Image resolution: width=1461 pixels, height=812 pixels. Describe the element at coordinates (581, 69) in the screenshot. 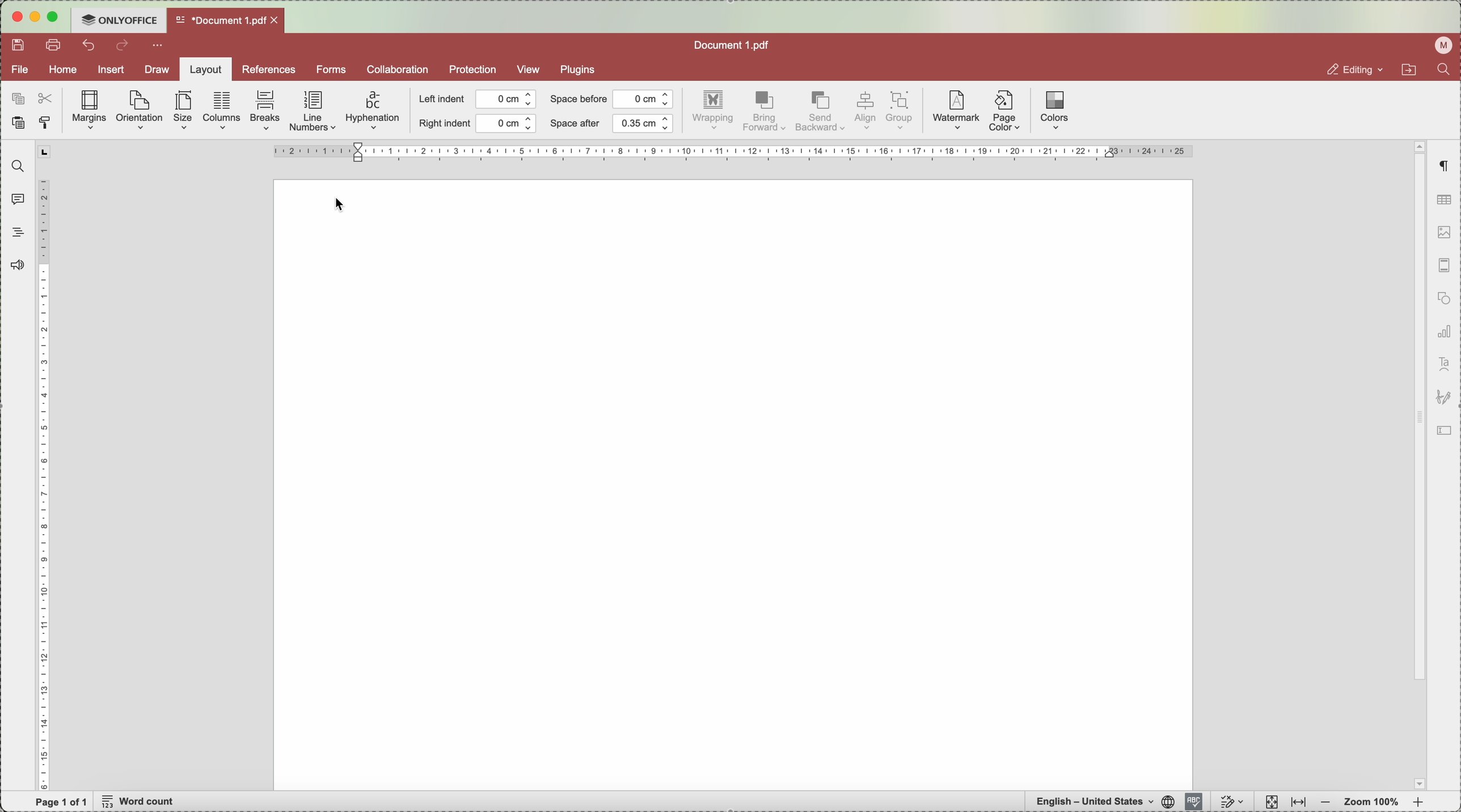

I see `plugins` at that location.